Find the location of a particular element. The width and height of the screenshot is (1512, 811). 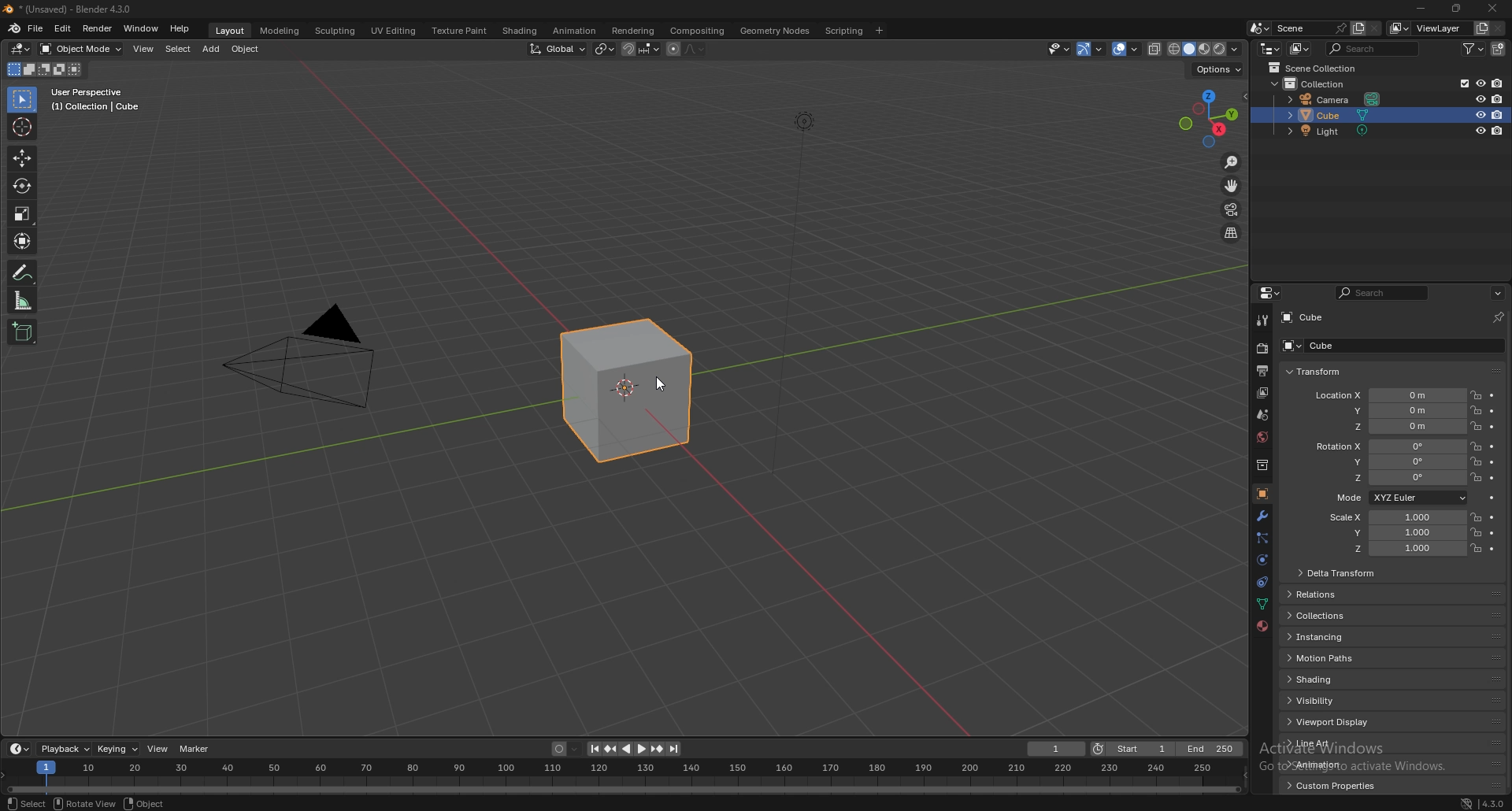

rotate view is located at coordinates (87, 803).